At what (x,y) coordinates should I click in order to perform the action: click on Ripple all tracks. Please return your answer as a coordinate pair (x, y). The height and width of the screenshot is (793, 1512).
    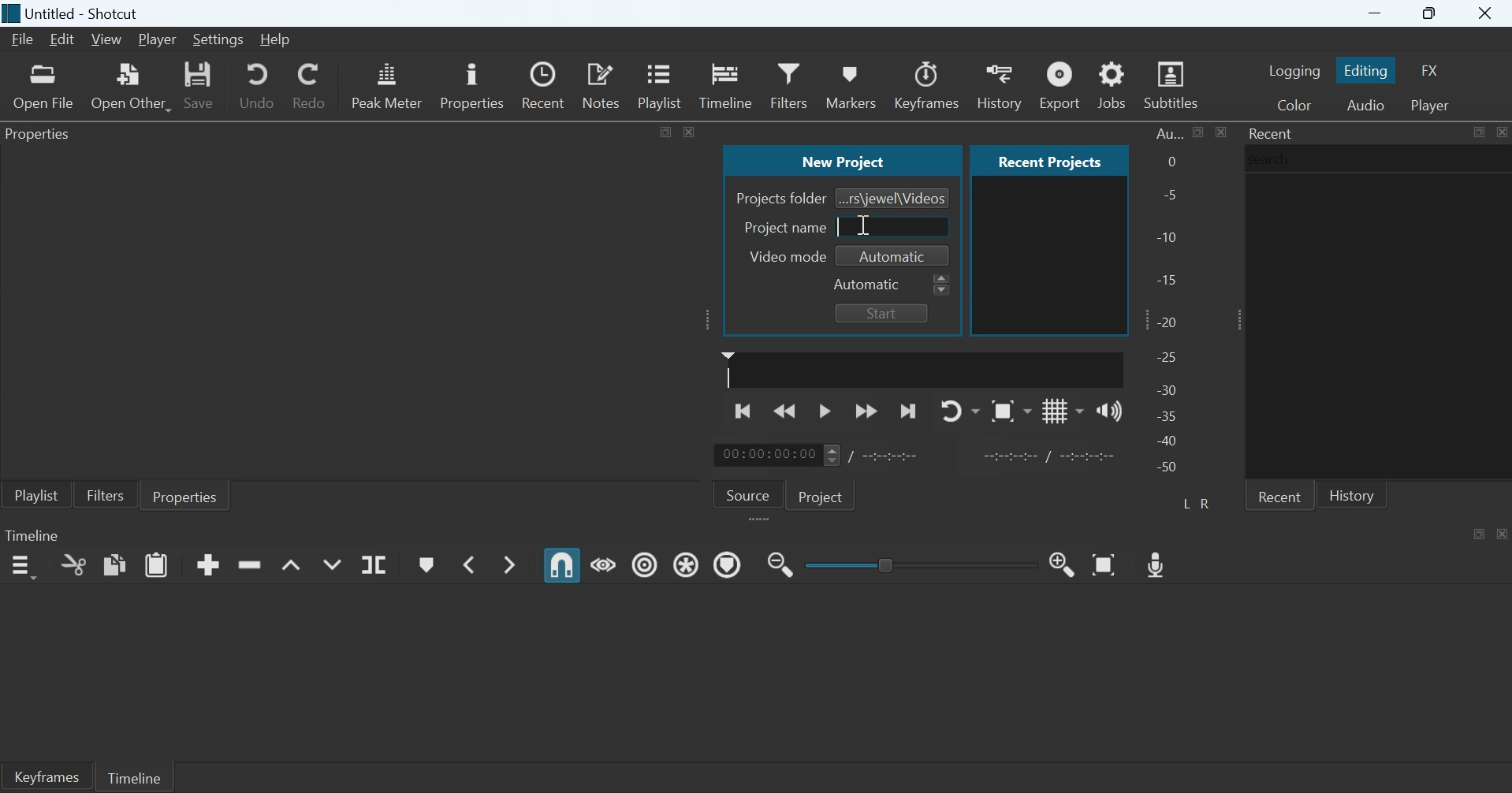
    Looking at the image, I should click on (688, 563).